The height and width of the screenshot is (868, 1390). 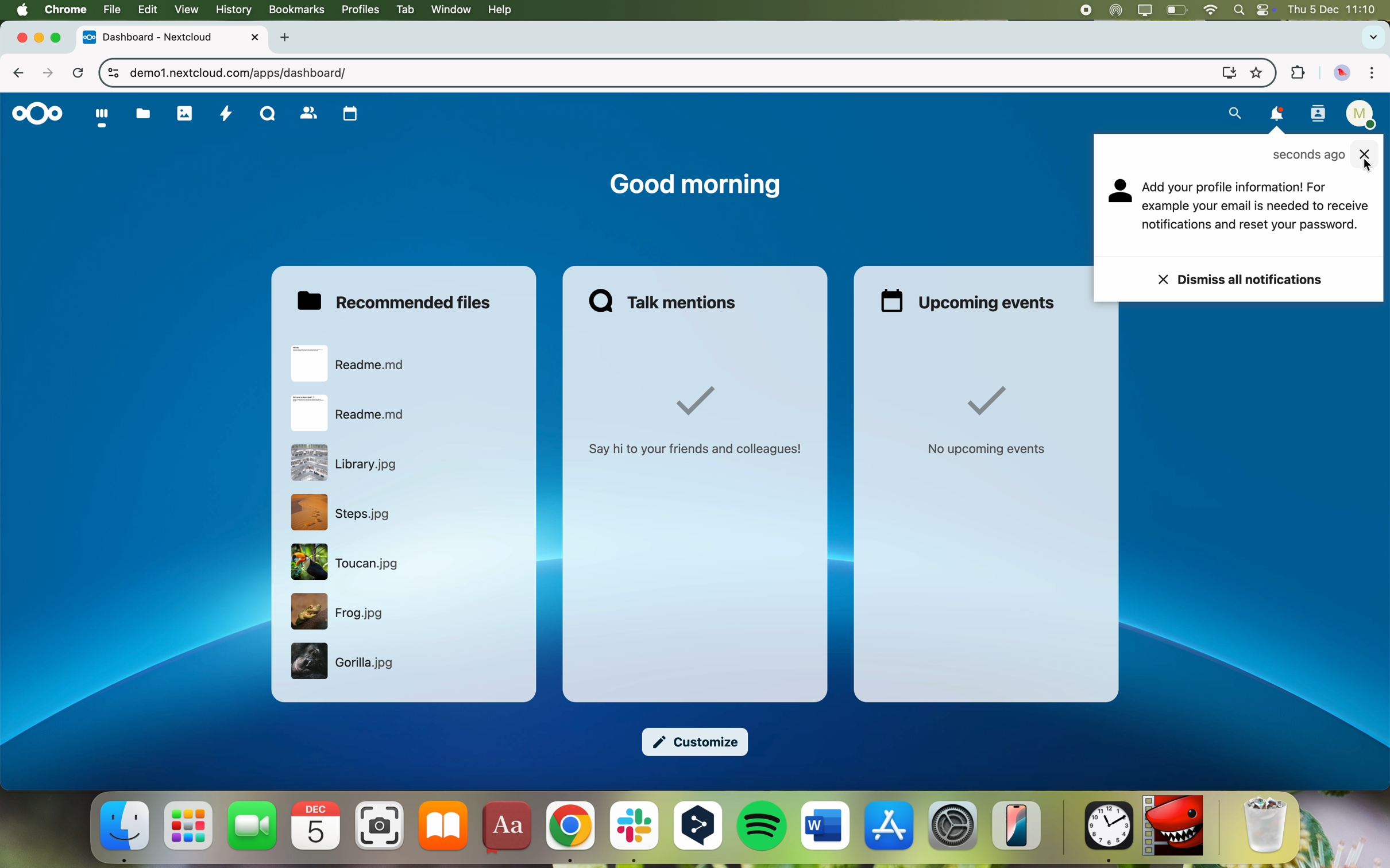 What do you see at coordinates (343, 512) in the screenshot?
I see `file` at bounding box center [343, 512].